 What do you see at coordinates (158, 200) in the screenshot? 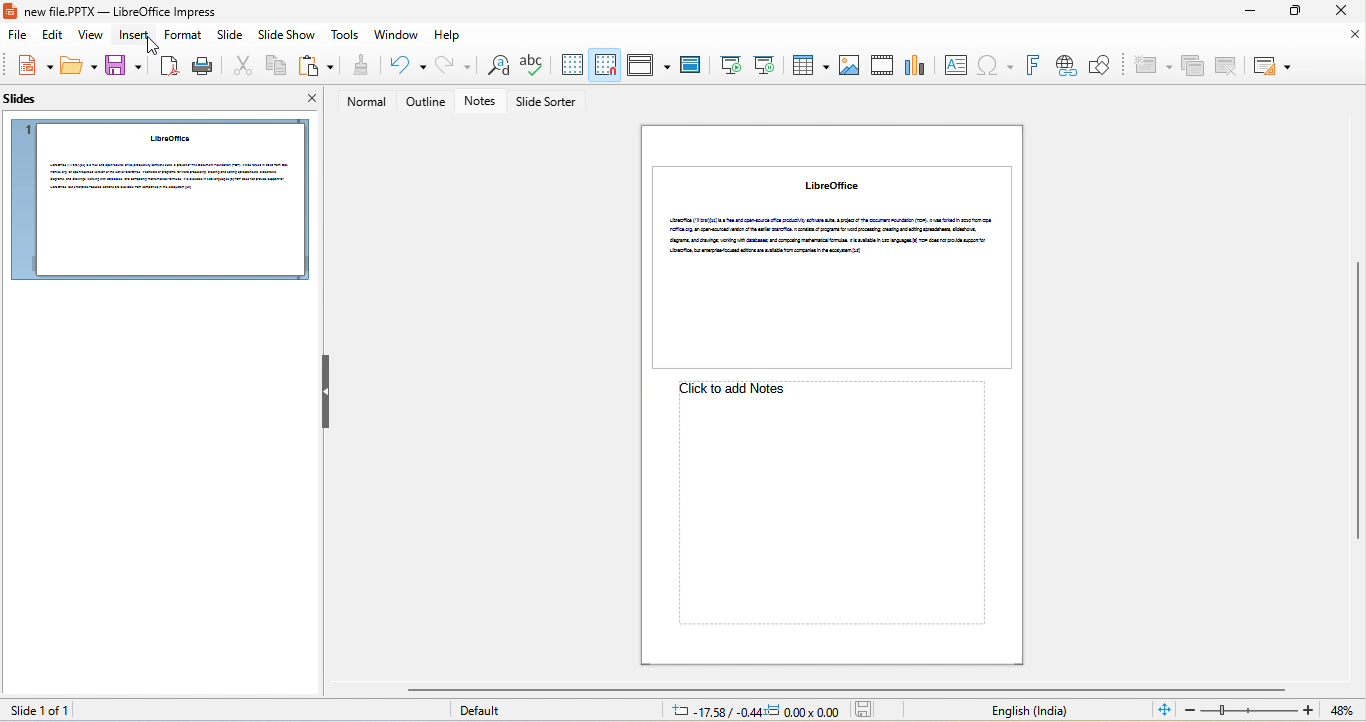
I see `slide 1` at bounding box center [158, 200].